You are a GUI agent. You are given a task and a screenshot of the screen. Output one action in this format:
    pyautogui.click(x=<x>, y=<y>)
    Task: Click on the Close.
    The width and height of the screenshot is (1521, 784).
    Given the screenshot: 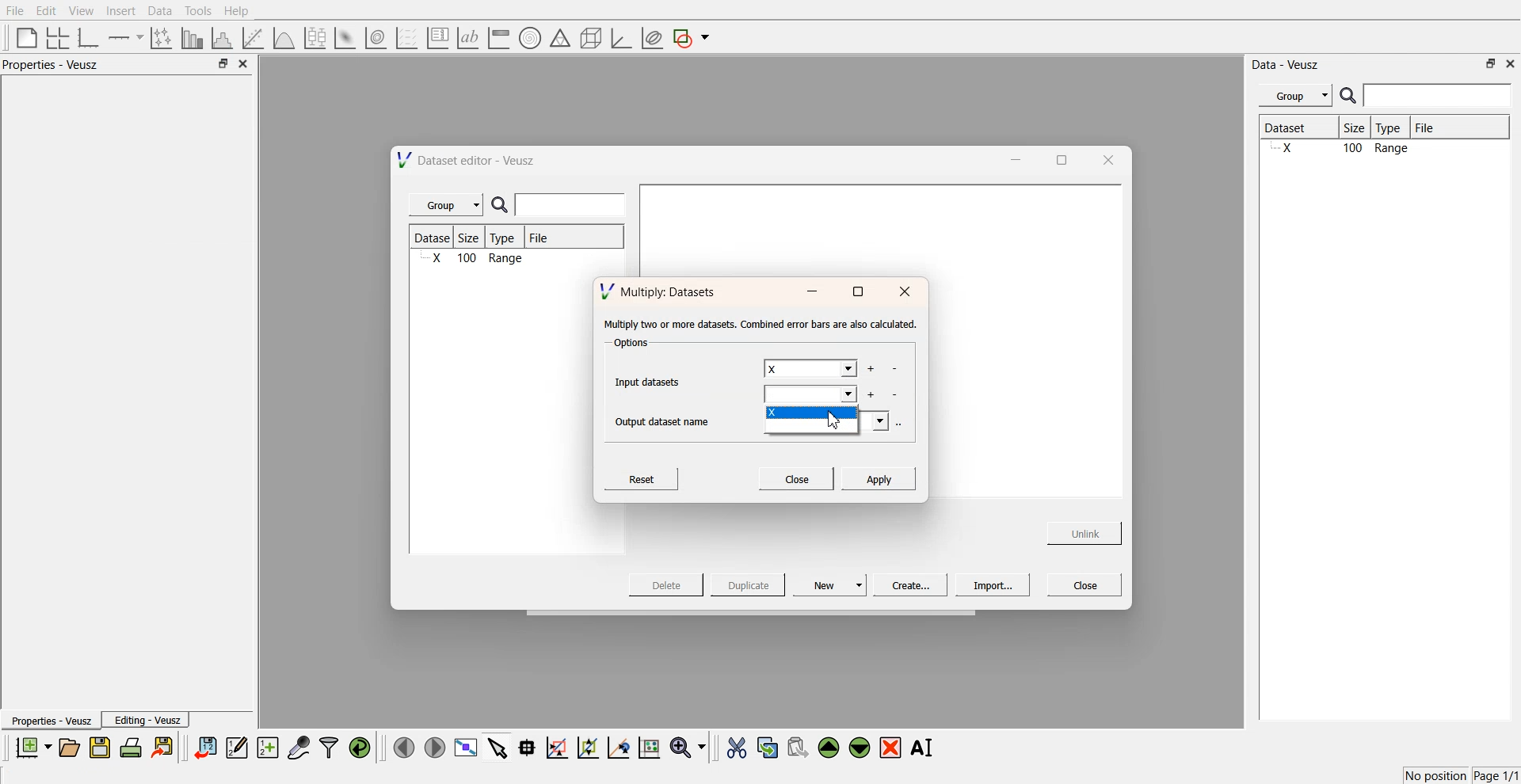 What is the action you would take?
    pyautogui.click(x=795, y=478)
    